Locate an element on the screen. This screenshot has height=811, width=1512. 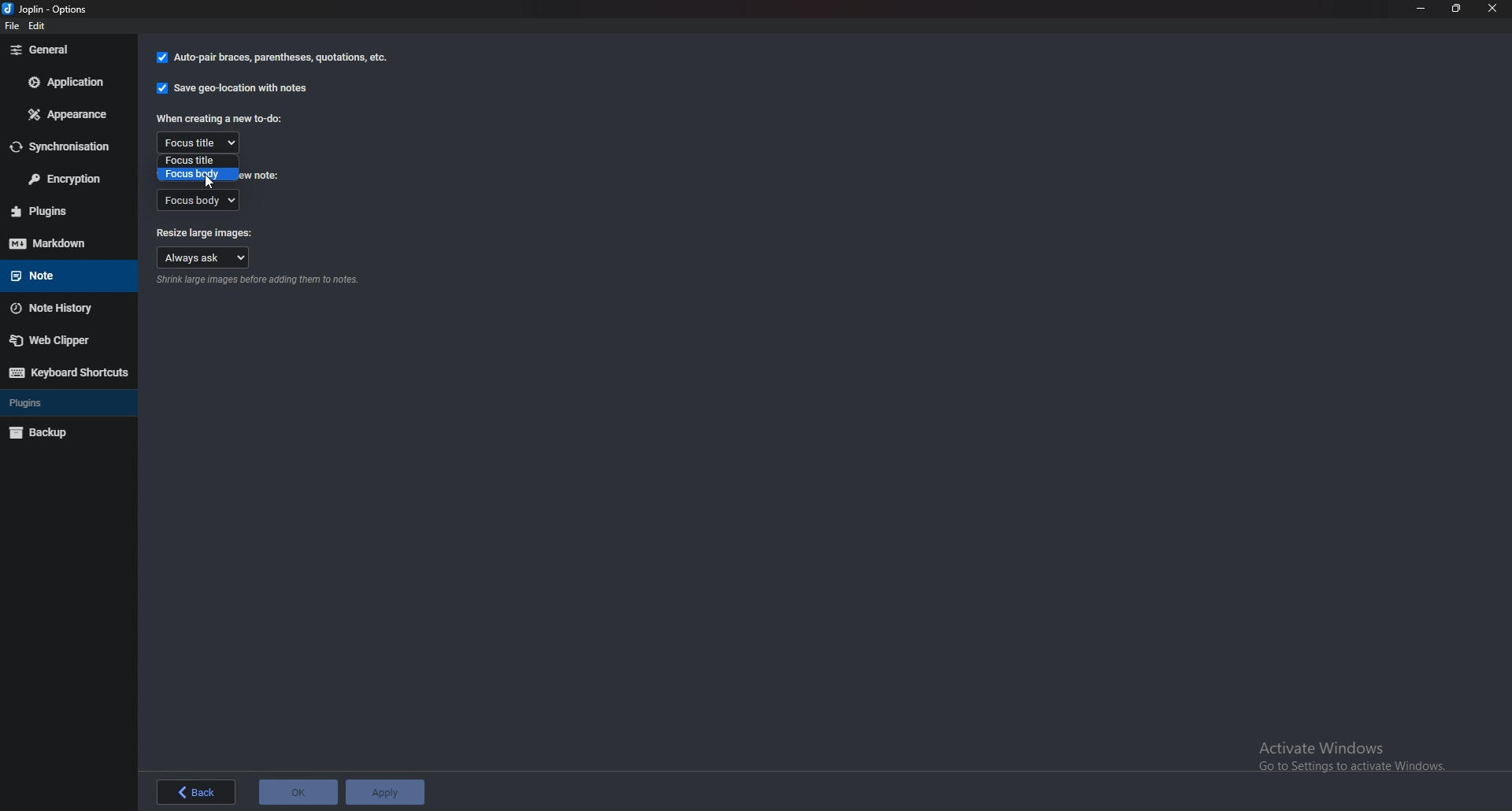
plugins is located at coordinates (65, 401).